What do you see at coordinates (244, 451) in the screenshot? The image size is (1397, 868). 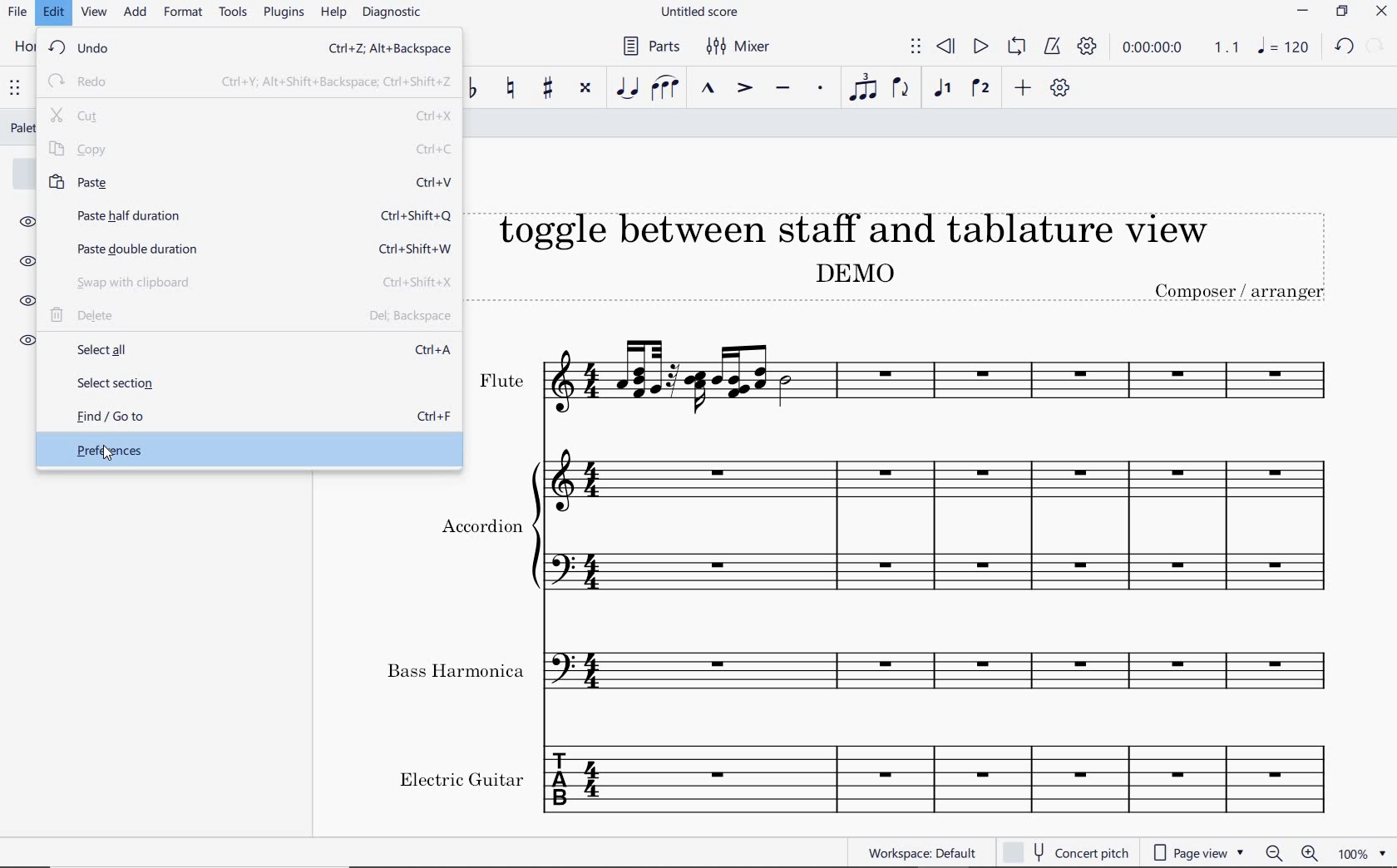 I see `preferences` at bounding box center [244, 451].